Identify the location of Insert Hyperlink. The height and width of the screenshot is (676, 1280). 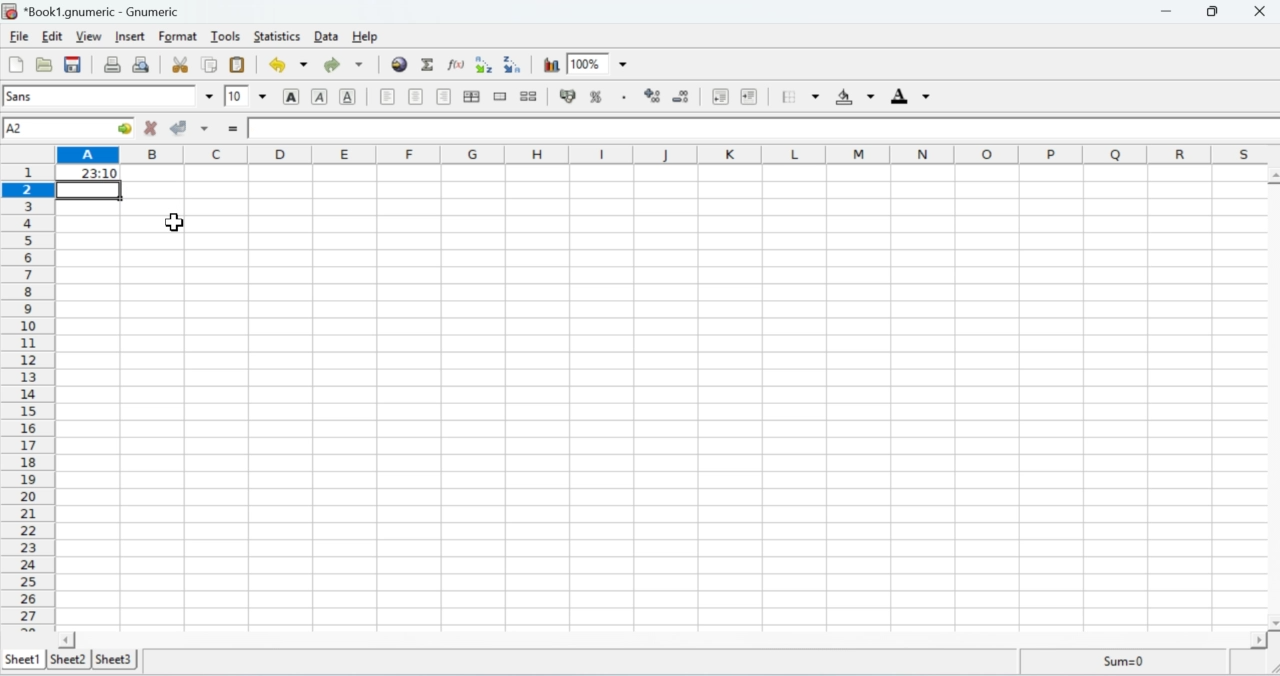
(400, 64).